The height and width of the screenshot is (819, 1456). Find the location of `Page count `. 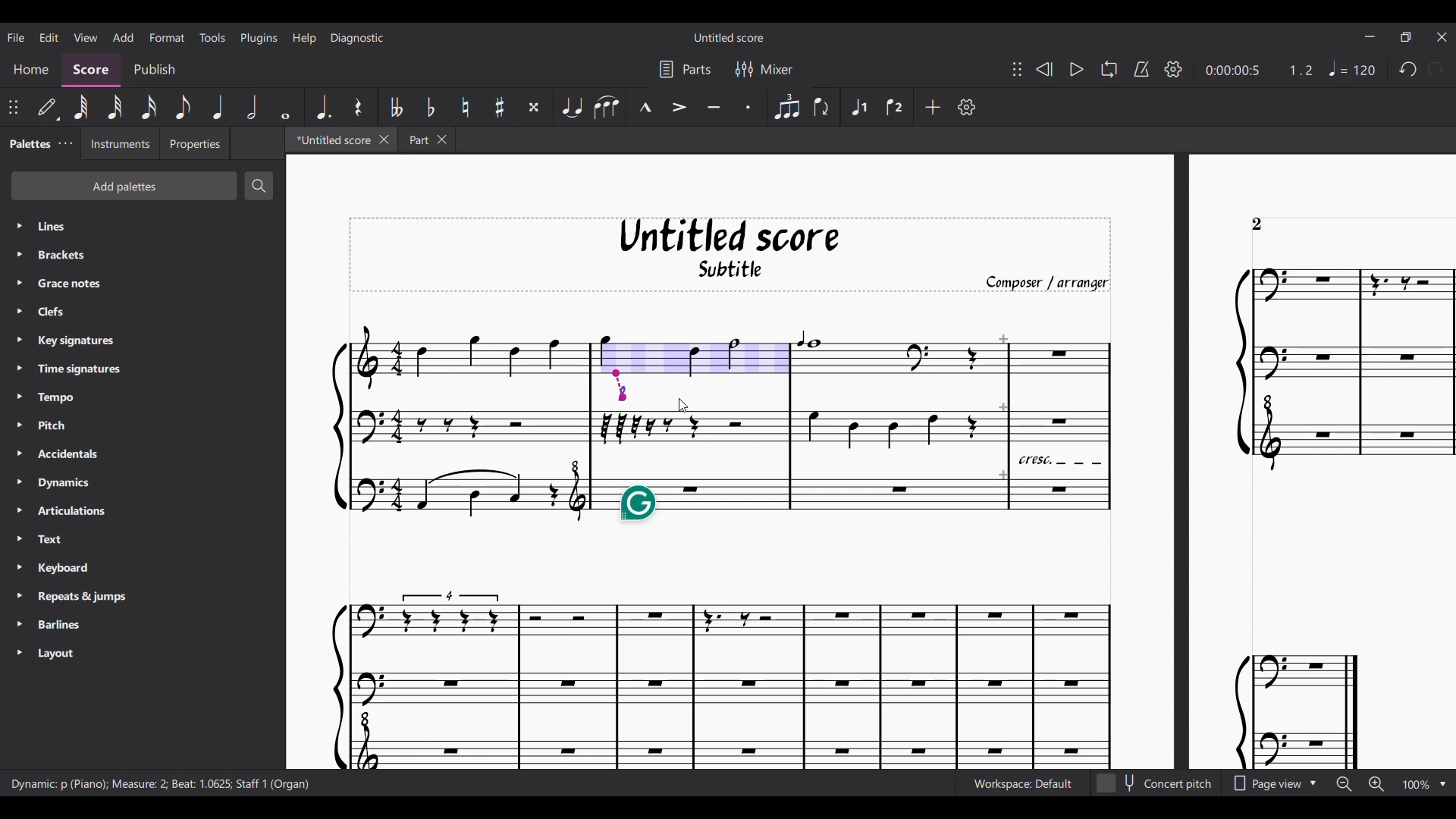

Page count  is located at coordinates (1257, 224).